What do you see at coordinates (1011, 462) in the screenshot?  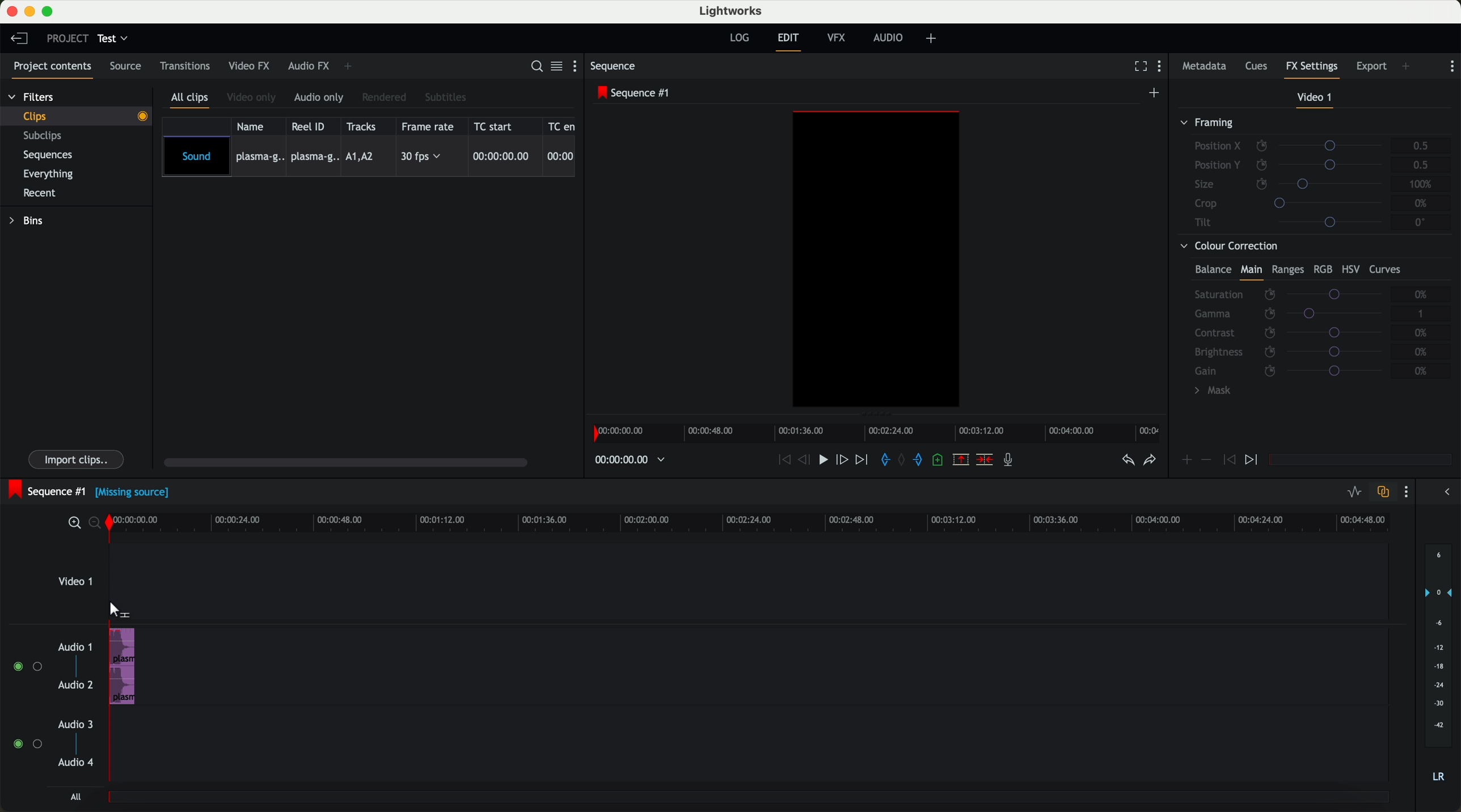 I see `record a voice over` at bounding box center [1011, 462].